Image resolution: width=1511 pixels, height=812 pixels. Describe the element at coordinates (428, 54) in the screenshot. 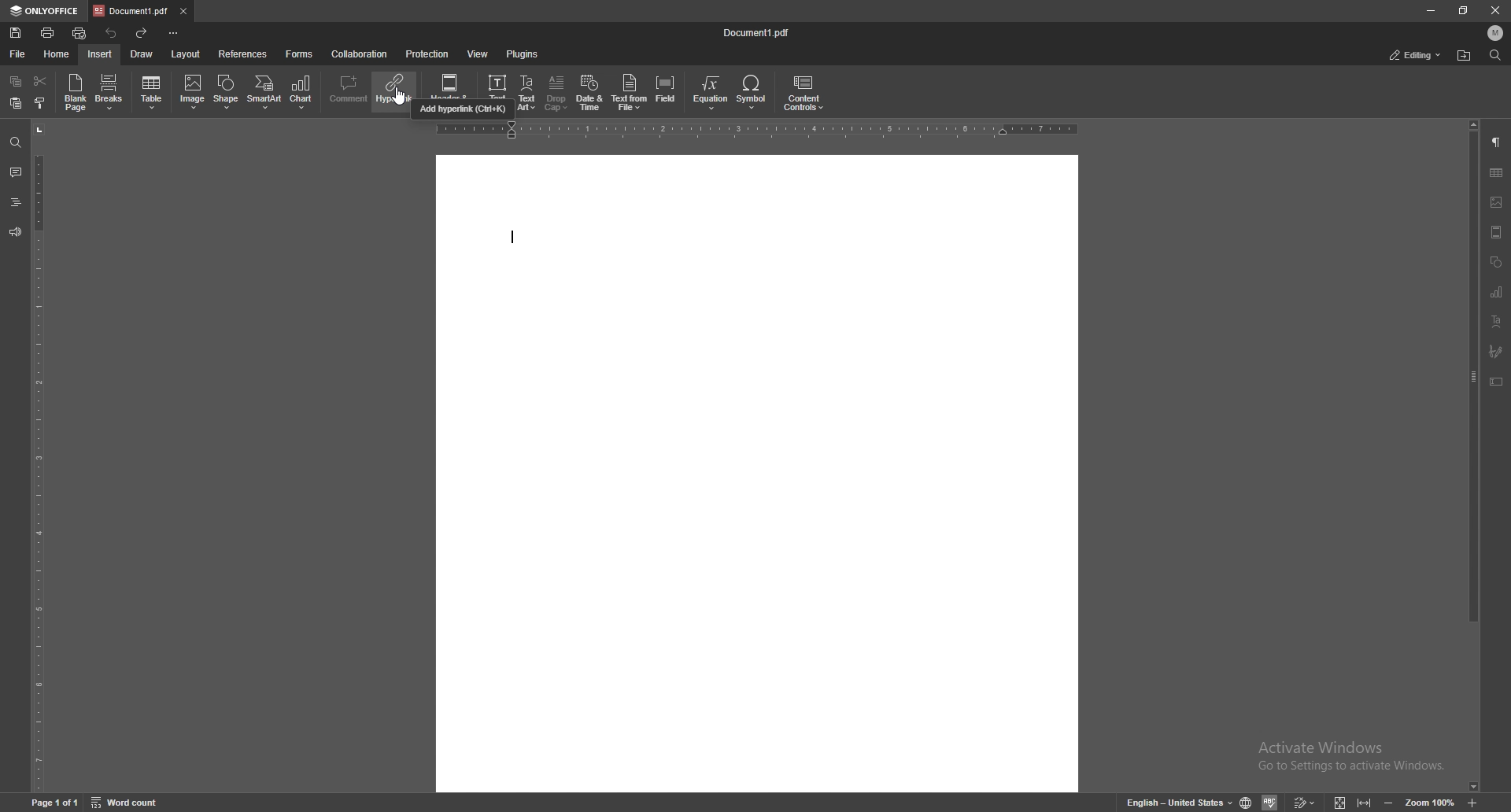

I see `protection` at that location.